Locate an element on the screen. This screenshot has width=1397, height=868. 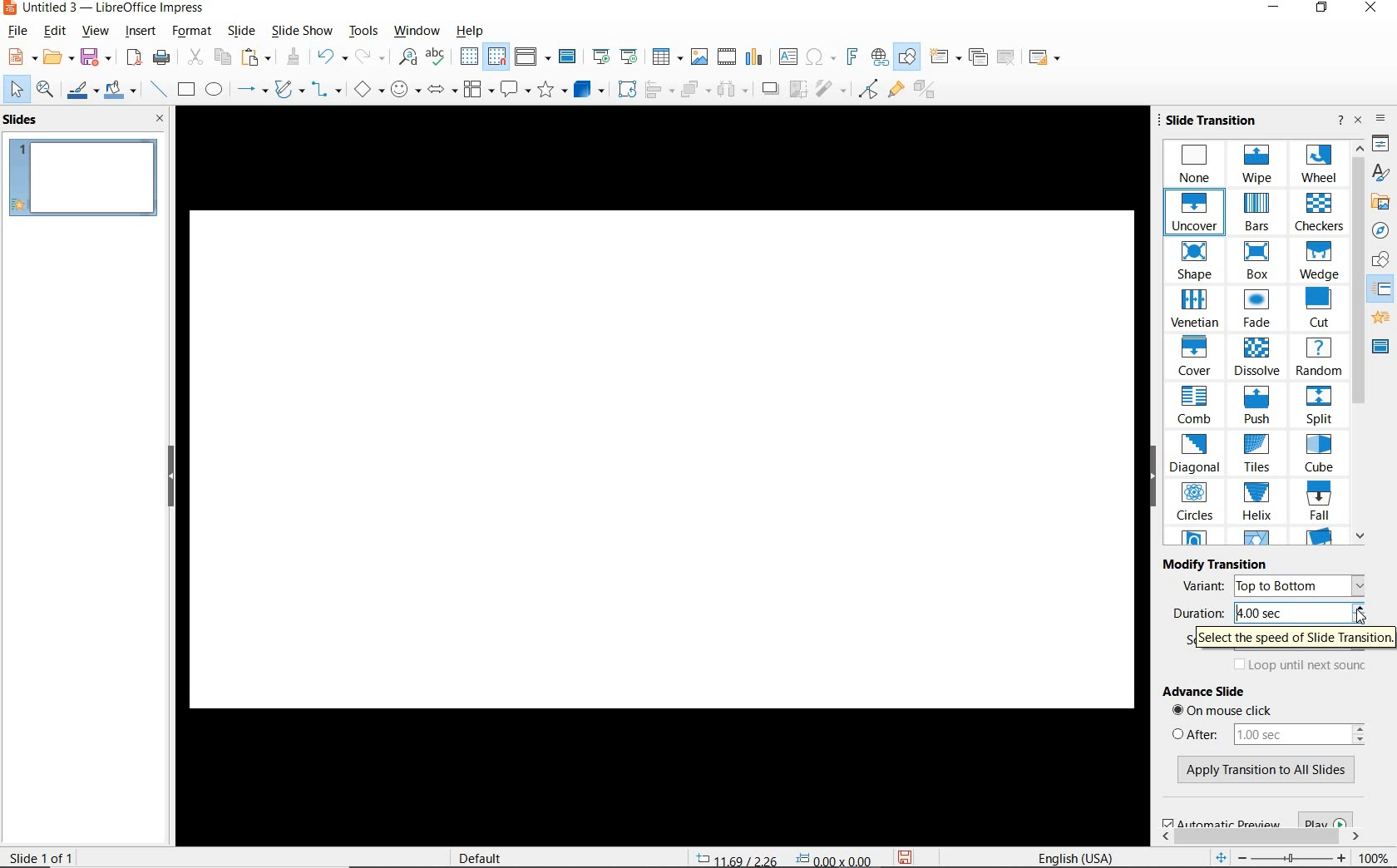
UNDO is located at coordinates (333, 56).